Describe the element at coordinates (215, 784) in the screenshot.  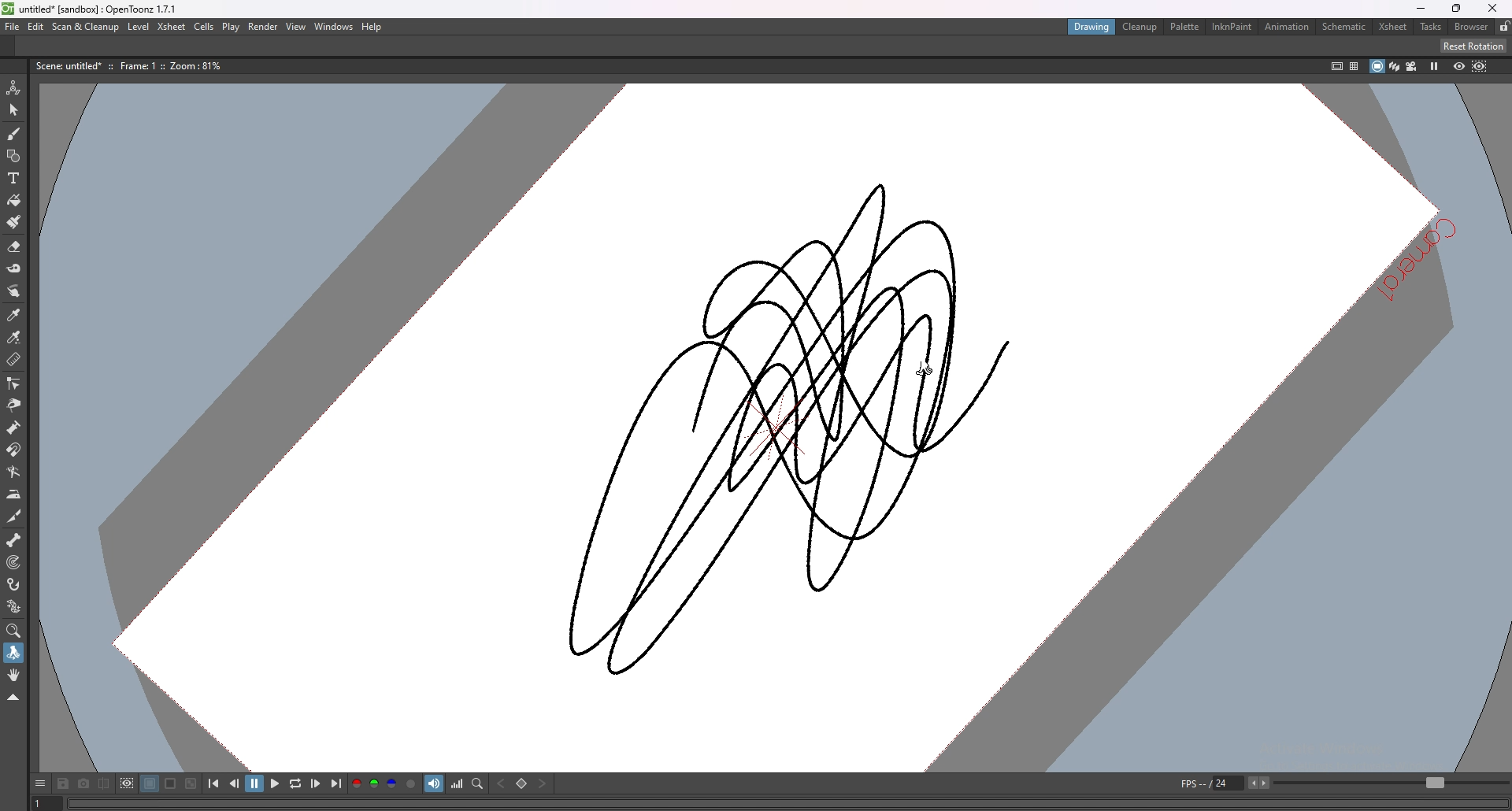
I see `first frame` at that location.